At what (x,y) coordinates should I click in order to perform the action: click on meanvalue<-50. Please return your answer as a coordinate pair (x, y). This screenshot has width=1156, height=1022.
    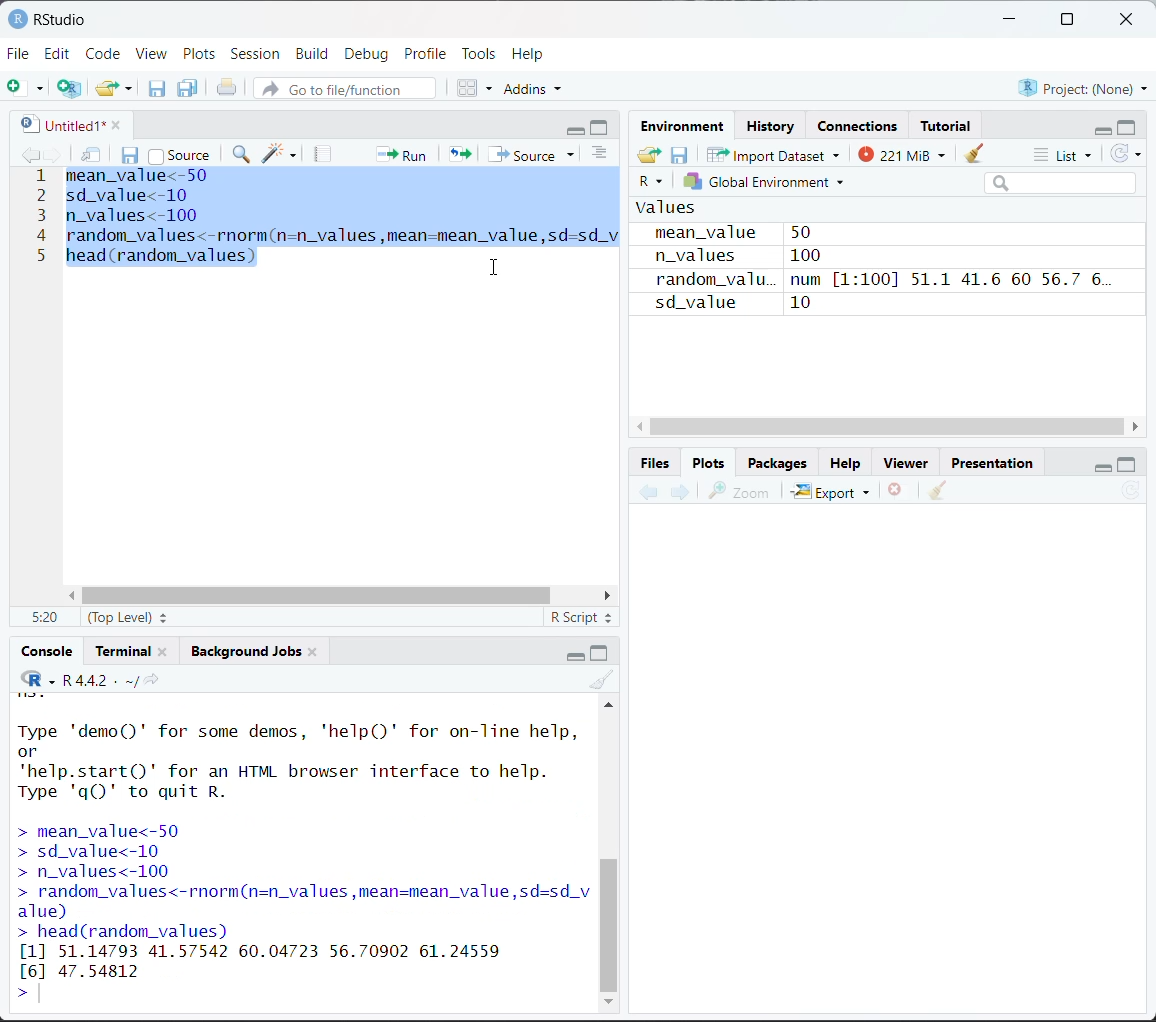
    Looking at the image, I should click on (141, 177).